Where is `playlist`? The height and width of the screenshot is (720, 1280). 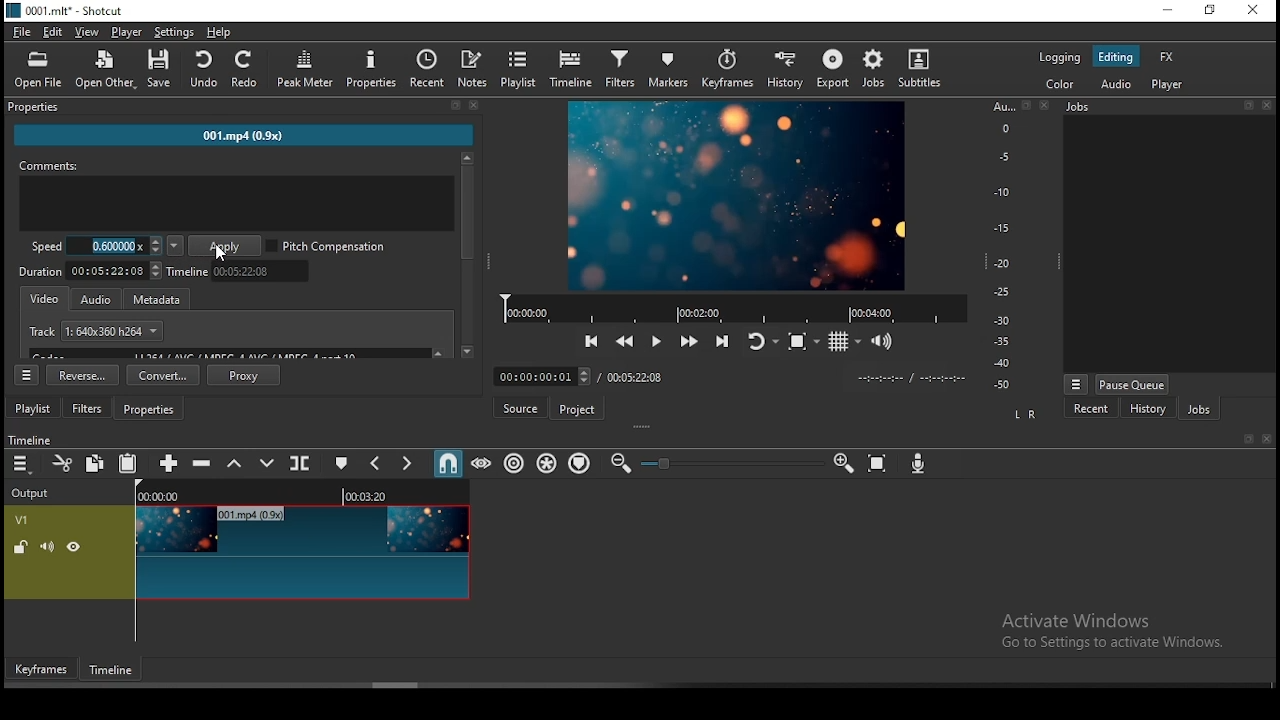
playlist is located at coordinates (519, 69).